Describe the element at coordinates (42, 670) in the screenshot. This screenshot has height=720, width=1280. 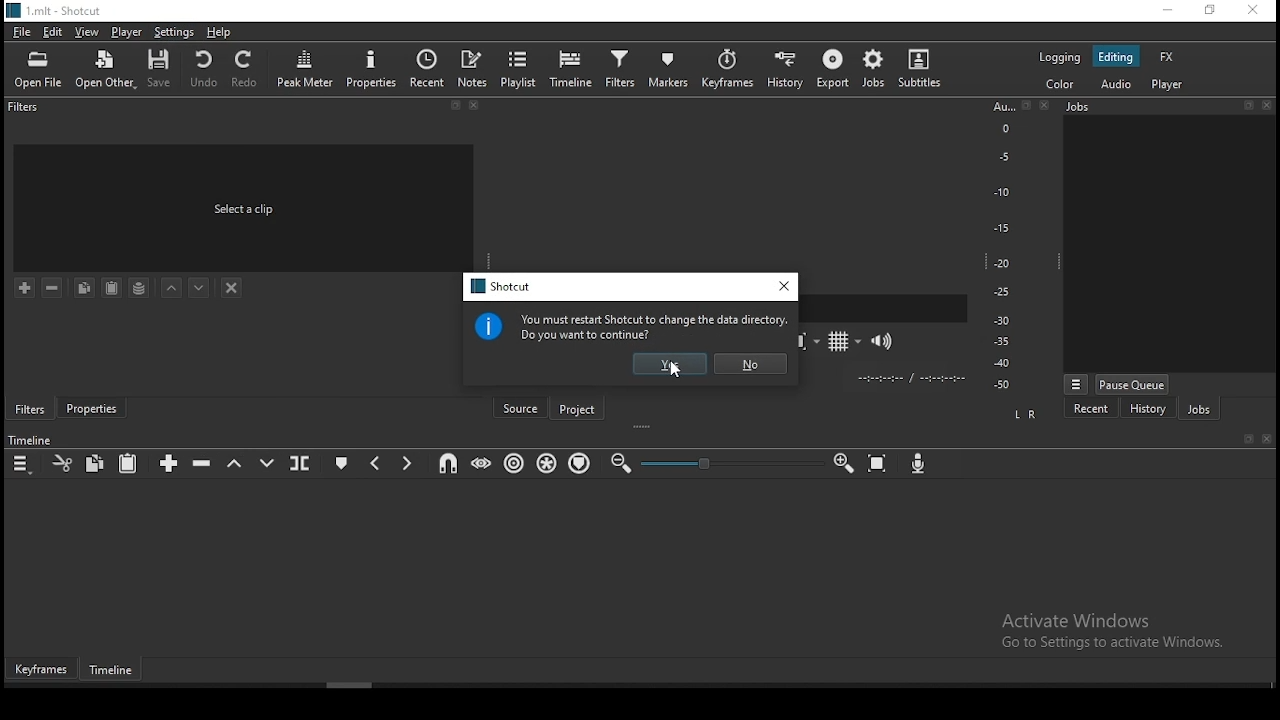
I see `keyframes` at that location.